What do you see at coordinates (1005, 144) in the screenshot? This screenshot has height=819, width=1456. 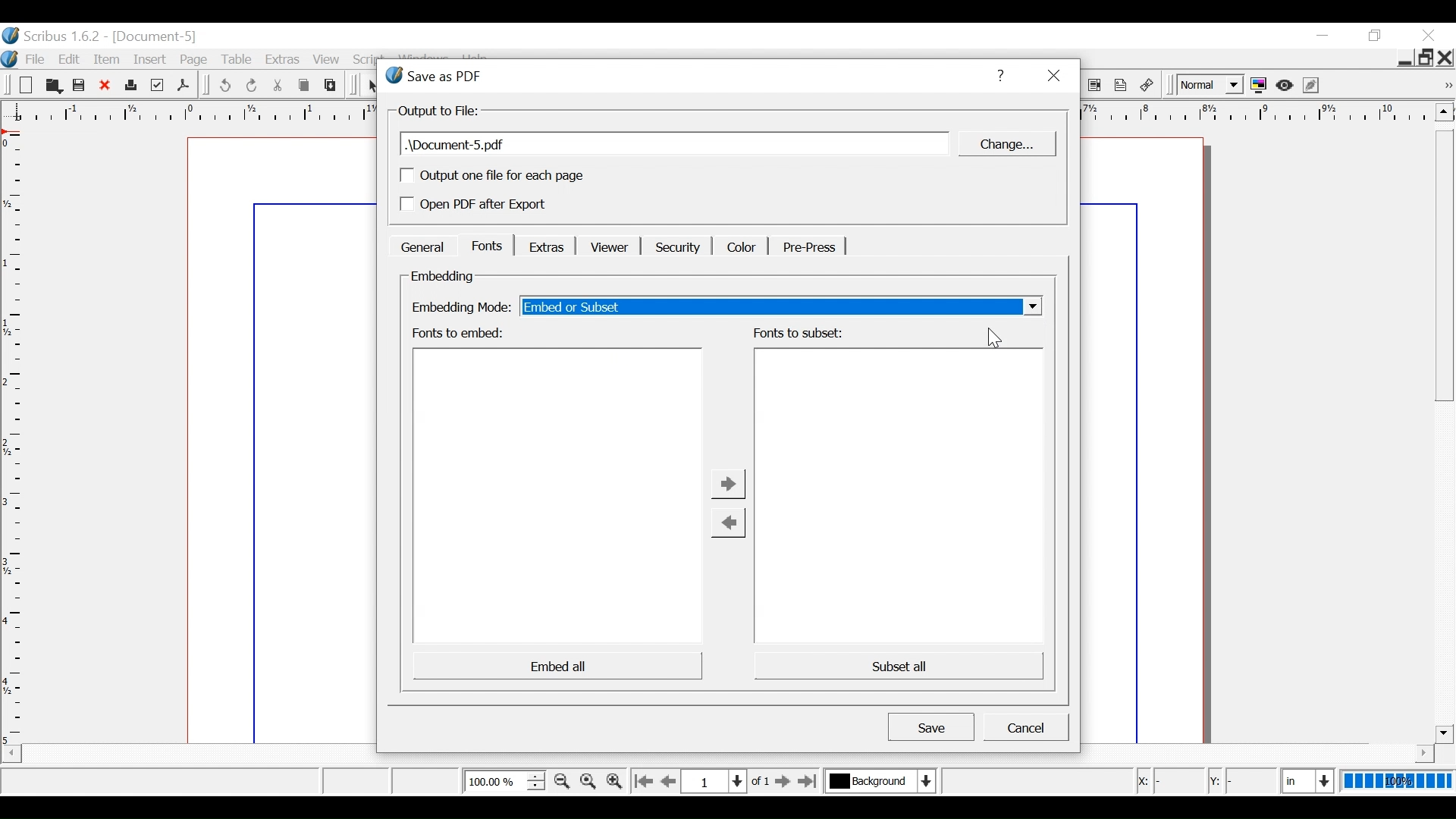 I see `Change` at bounding box center [1005, 144].